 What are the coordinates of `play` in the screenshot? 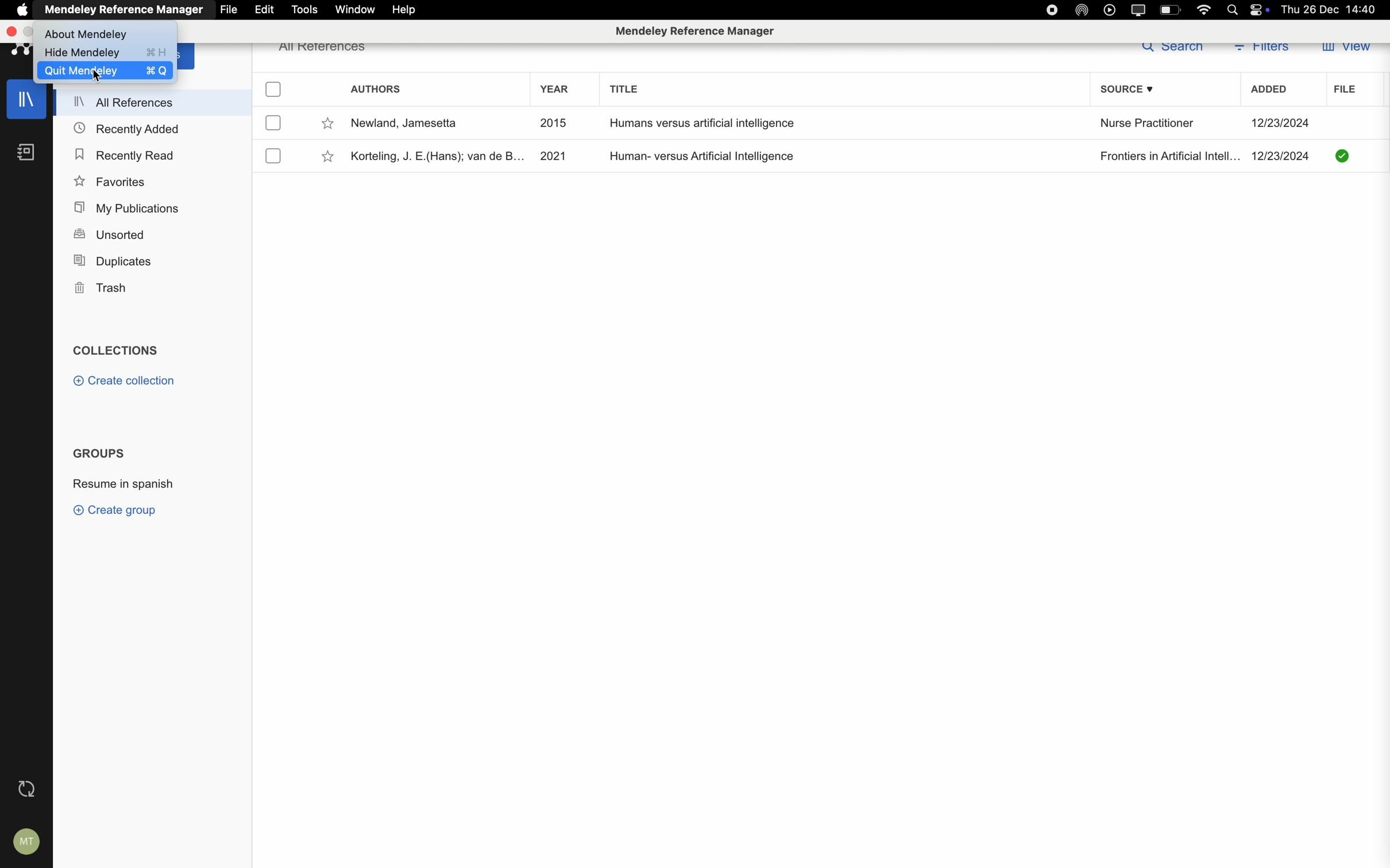 It's located at (1110, 10).